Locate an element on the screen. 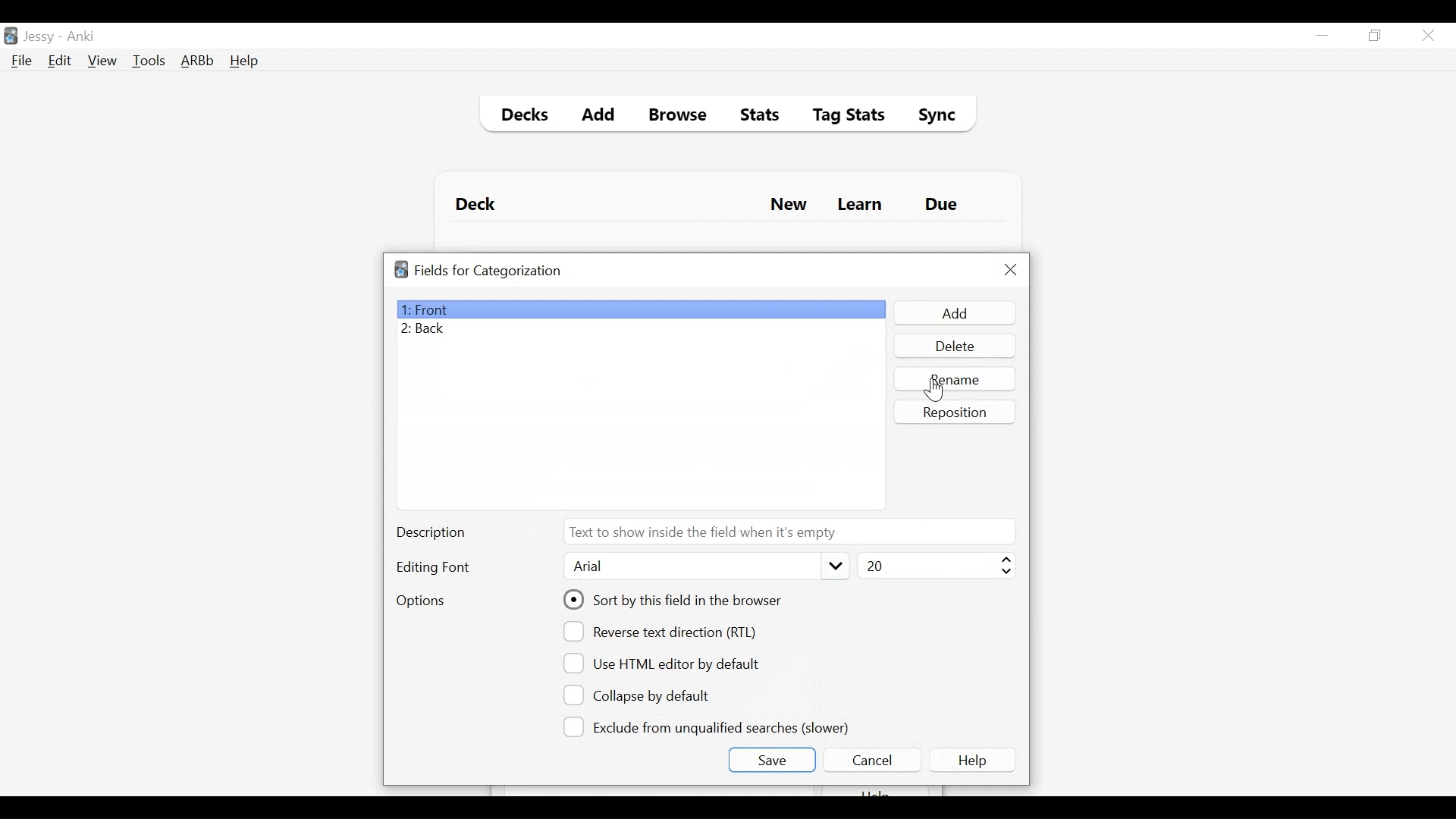  Stats is located at coordinates (755, 115).